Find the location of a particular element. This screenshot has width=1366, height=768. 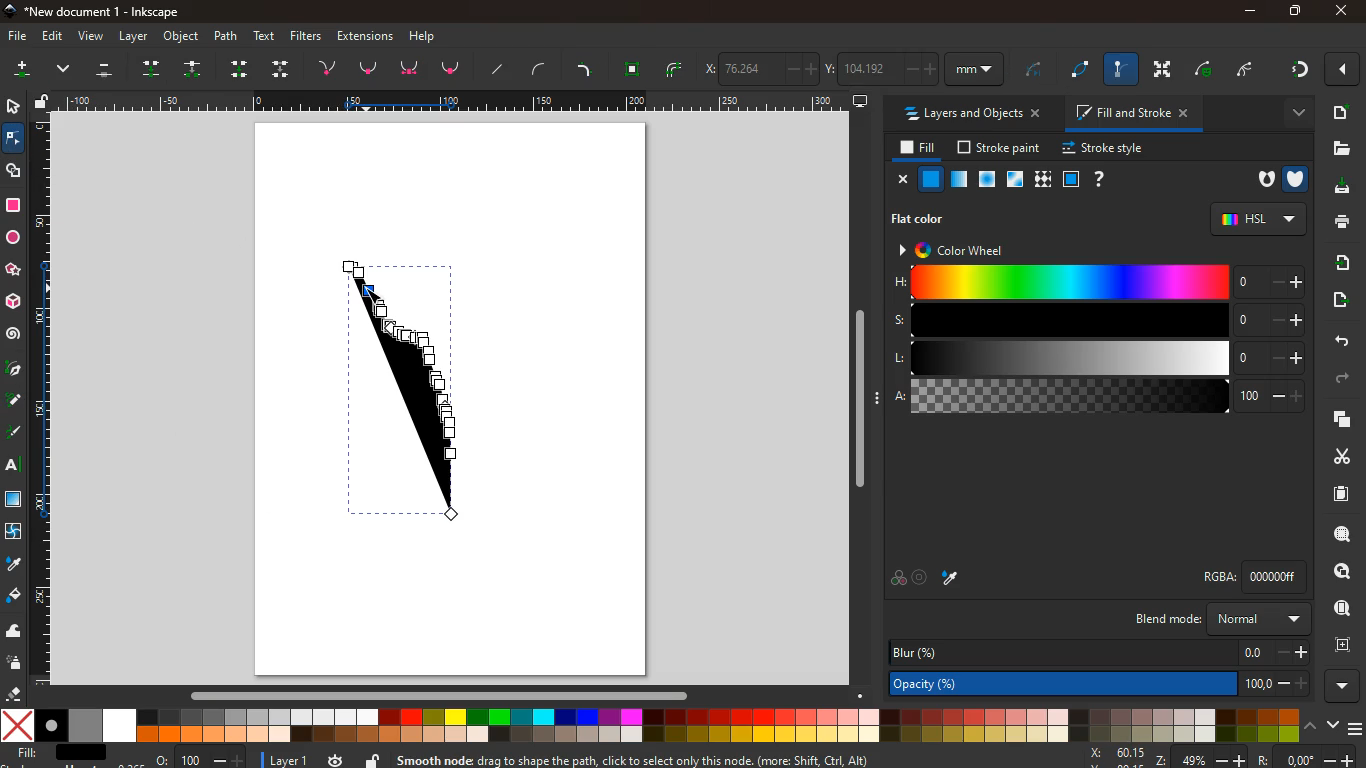

description is located at coordinates (680, 758).